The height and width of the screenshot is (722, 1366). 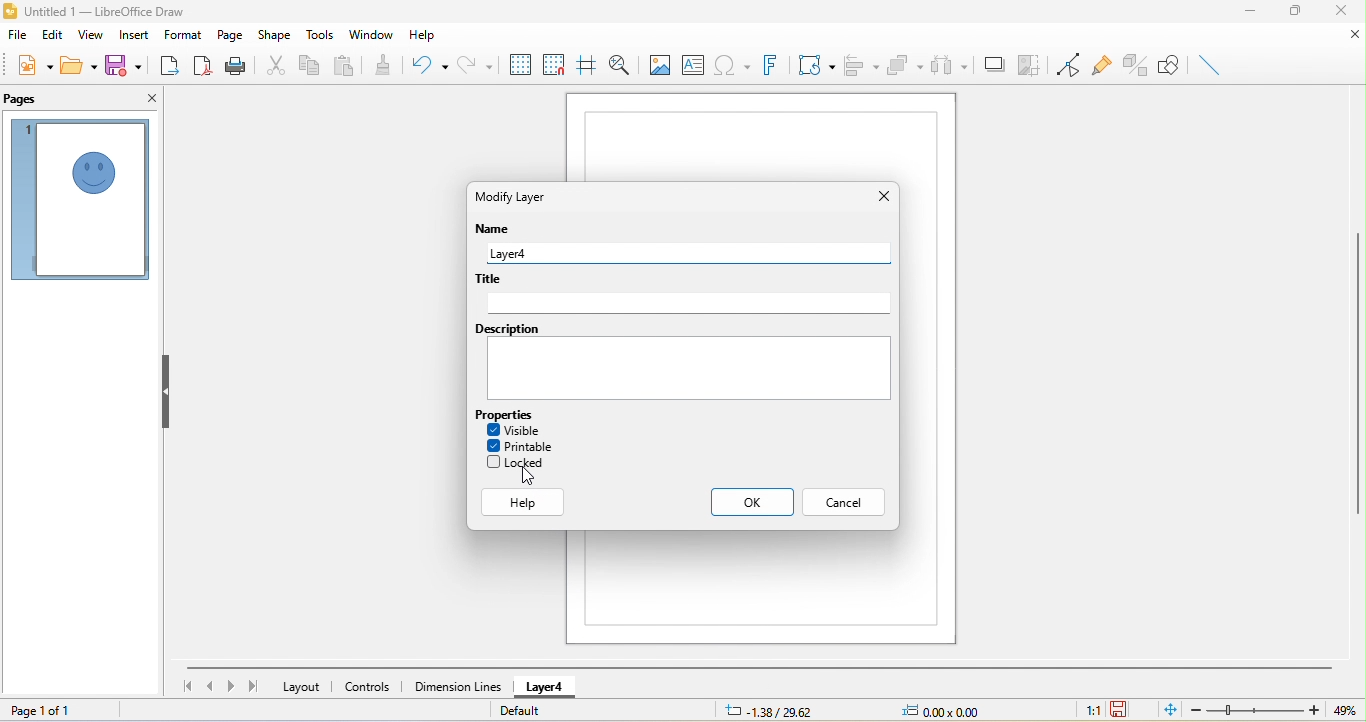 I want to click on controls, so click(x=369, y=687).